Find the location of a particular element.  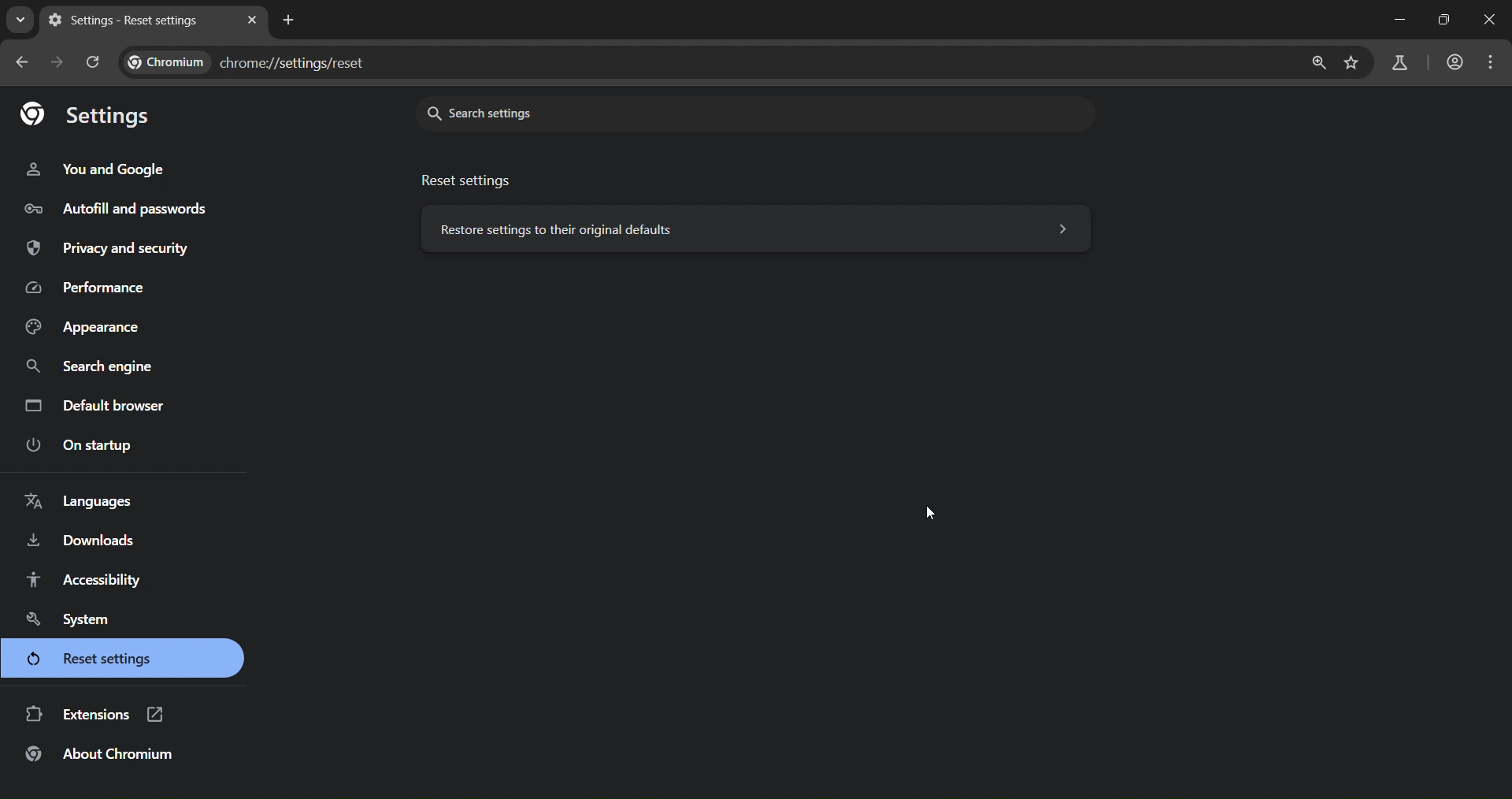

reset settings is located at coordinates (469, 181).